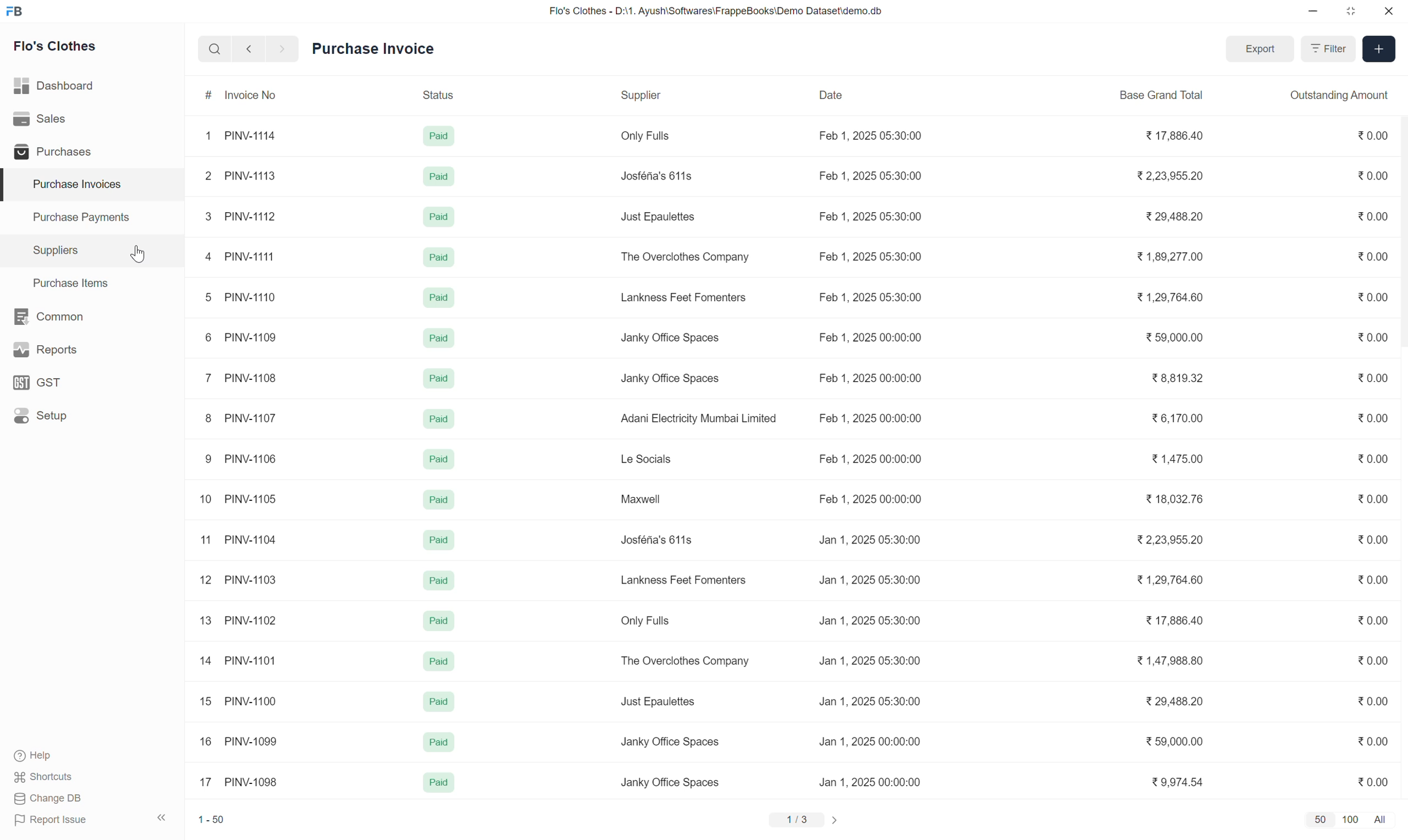  What do you see at coordinates (688, 662) in the screenshot?
I see `The Overclothes Company` at bounding box center [688, 662].